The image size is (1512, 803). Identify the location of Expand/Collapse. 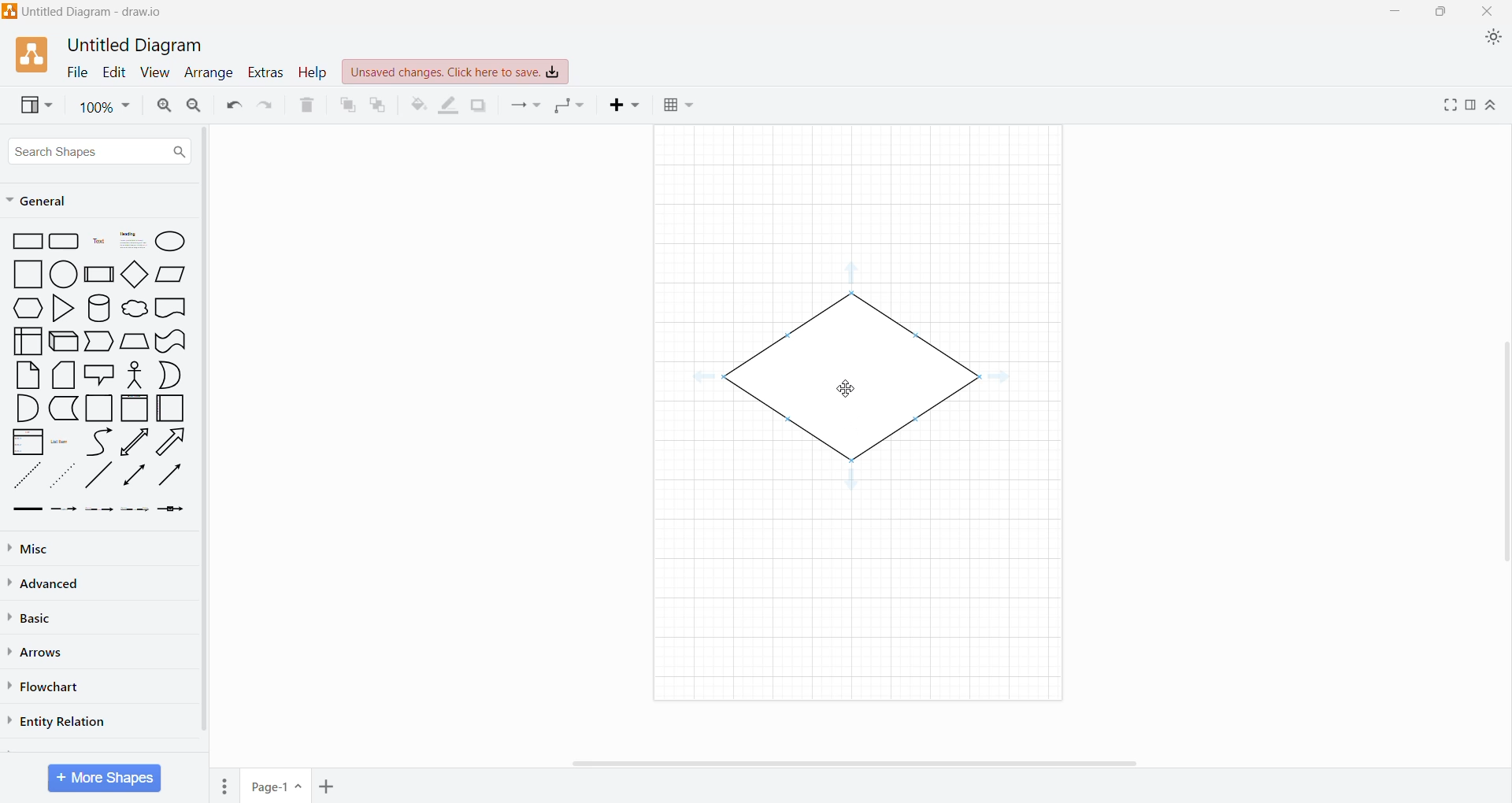
(1492, 105).